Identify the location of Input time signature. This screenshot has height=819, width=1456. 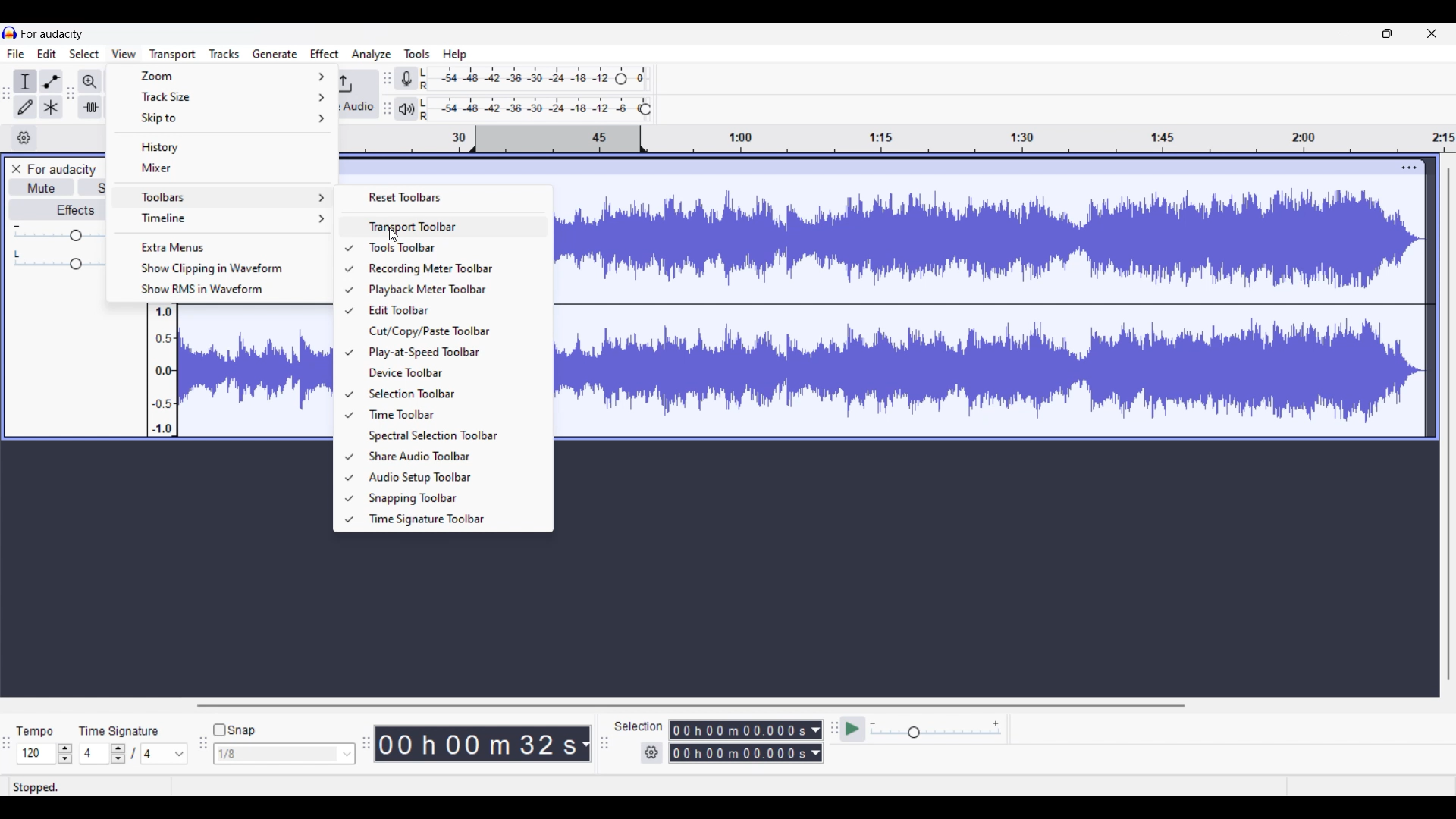
(93, 752).